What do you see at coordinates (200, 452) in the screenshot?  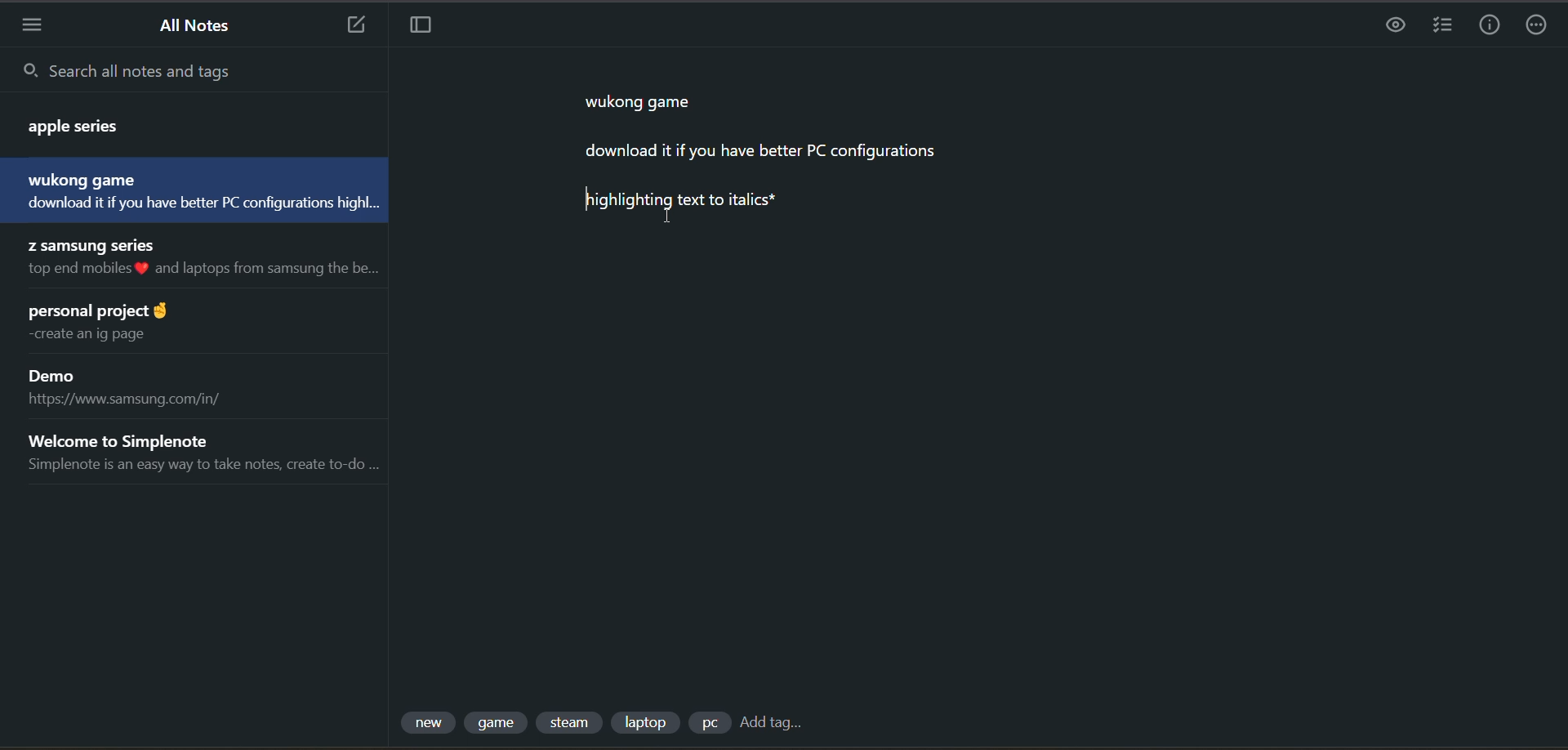 I see `note title and preview` at bounding box center [200, 452].